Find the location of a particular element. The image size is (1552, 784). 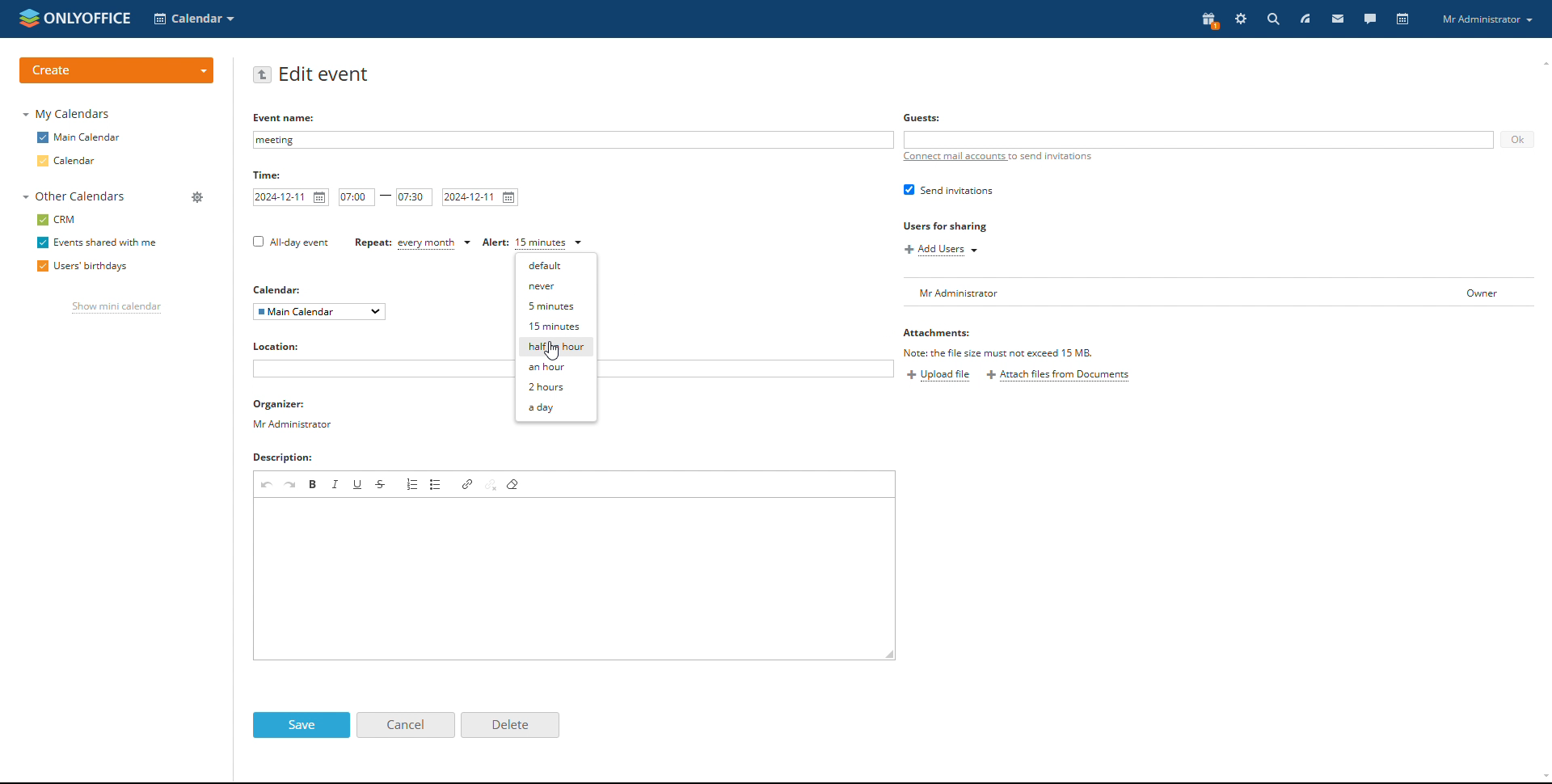

connect mail accounts is located at coordinates (997, 162).